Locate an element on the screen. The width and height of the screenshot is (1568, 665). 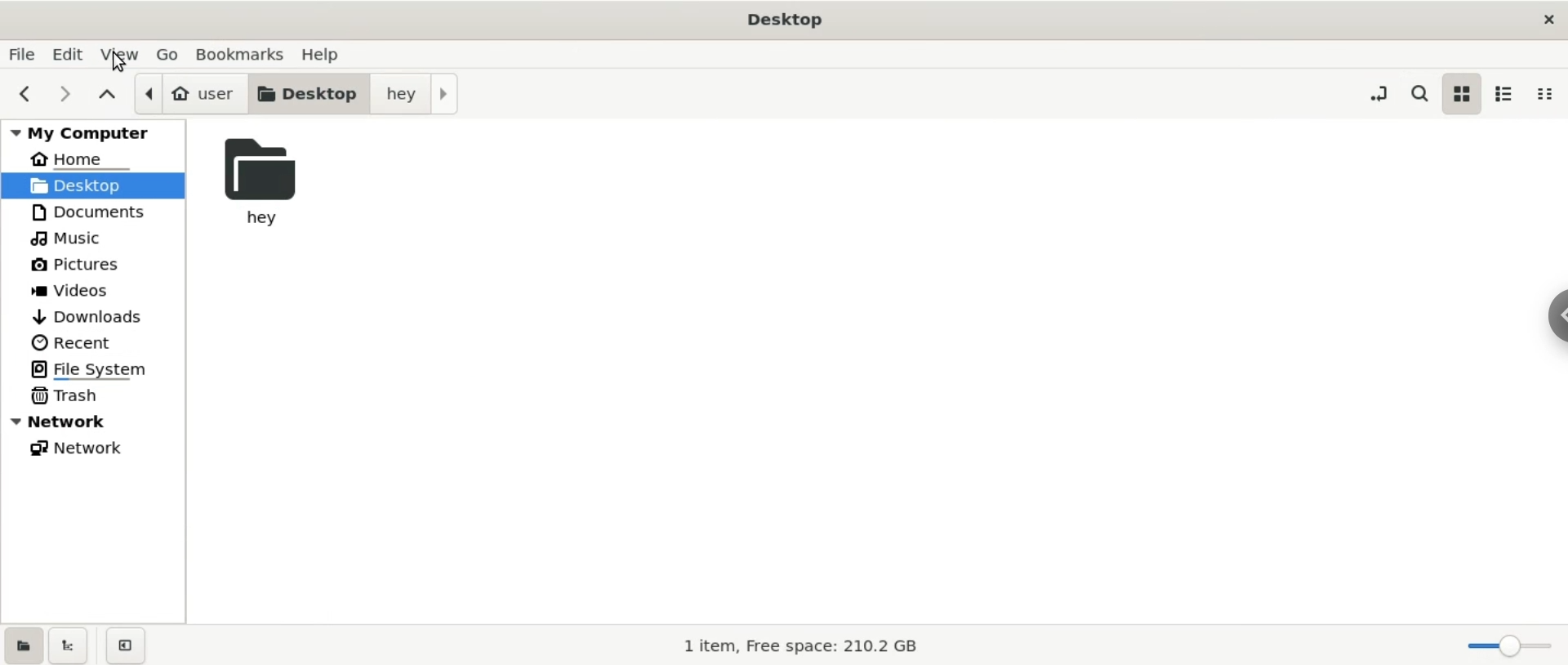
close sidebar is located at coordinates (132, 643).